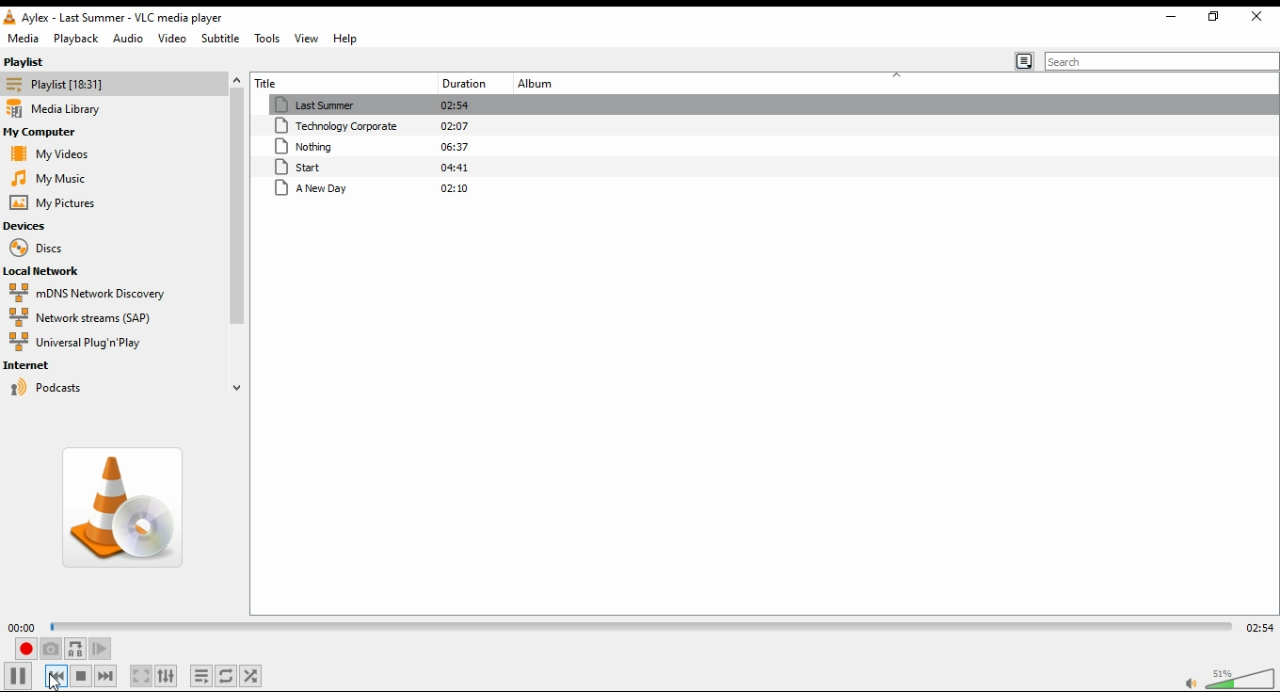 Image resolution: width=1280 pixels, height=692 pixels. I want to click on 02:53, so click(455, 105).